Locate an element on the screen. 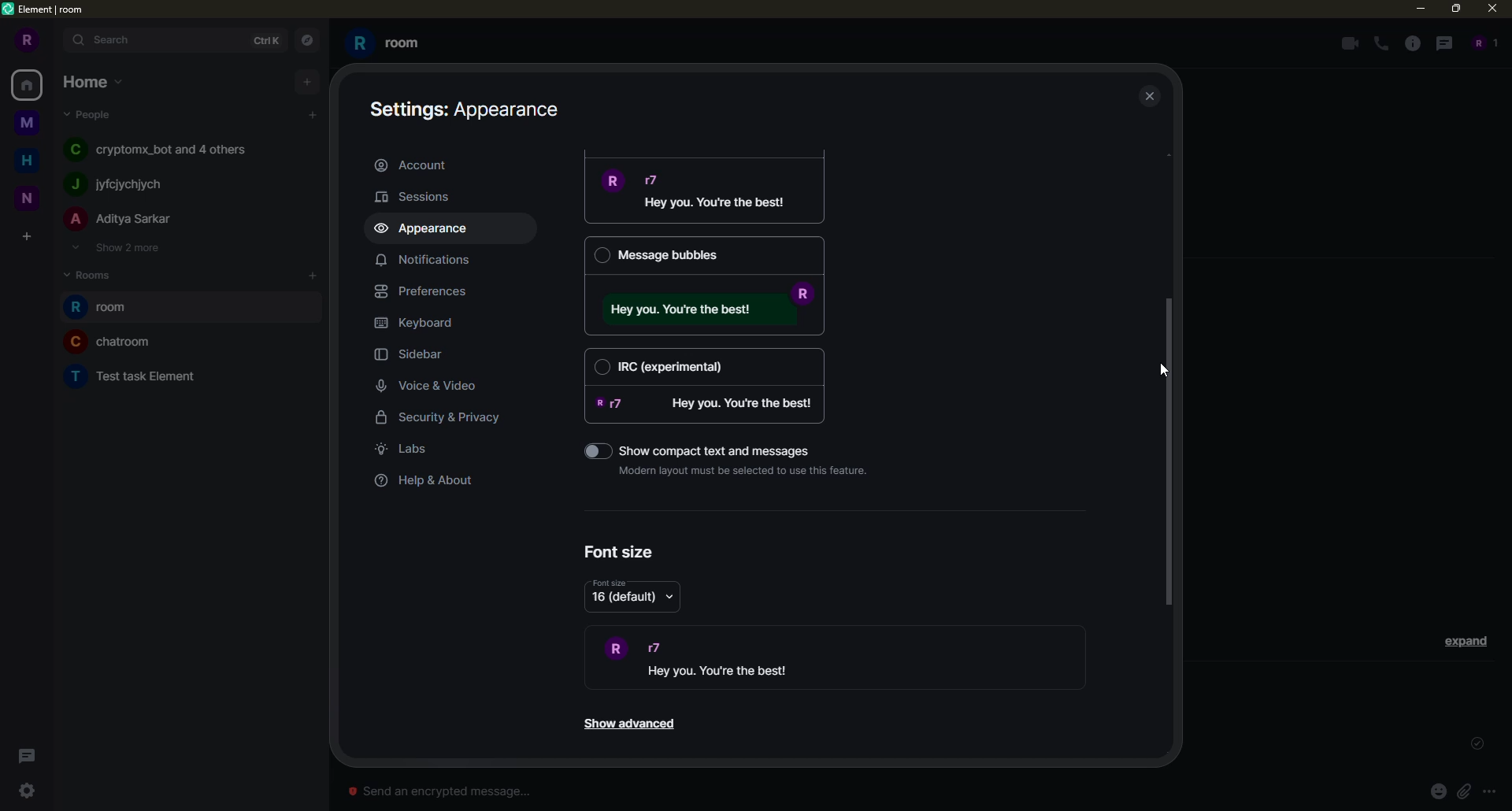  font size is located at coordinates (610, 583).